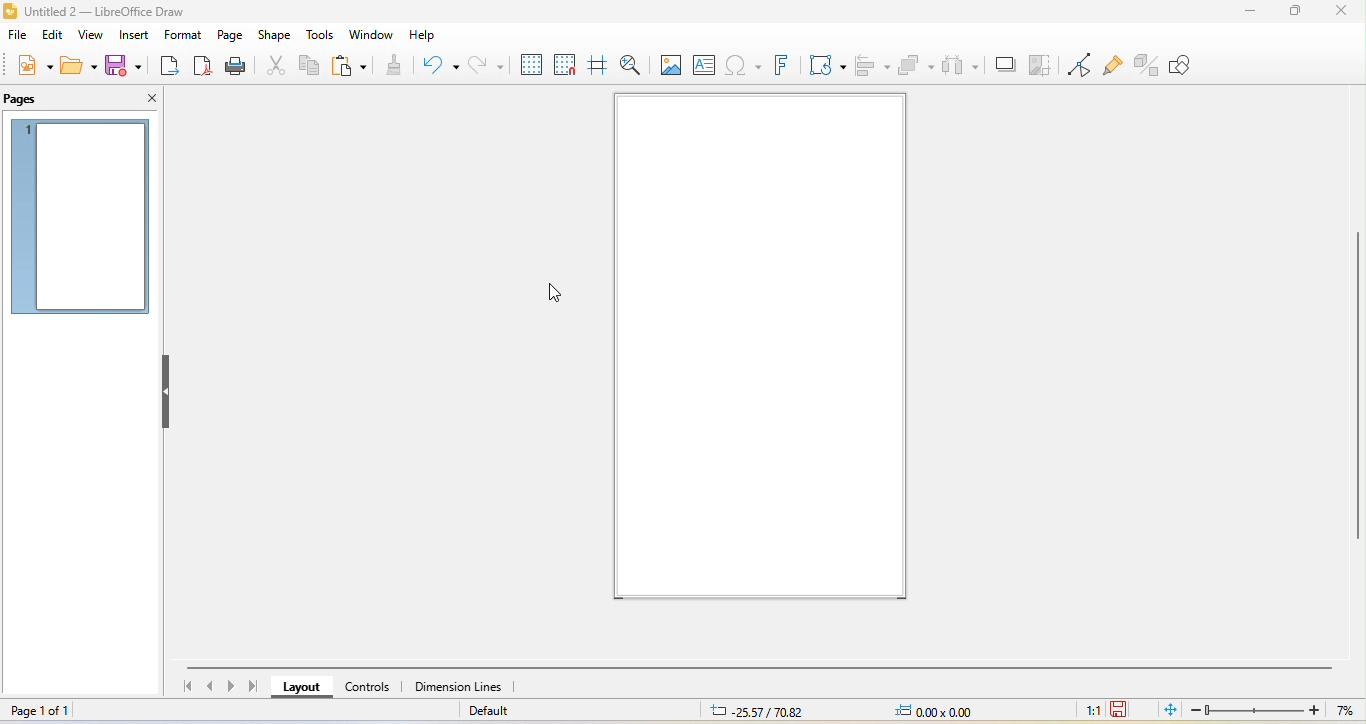 This screenshot has width=1366, height=724. What do you see at coordinates (933, 710) in the screenshot?
I see `0.00x0.00` at bounding box center [933, 710].